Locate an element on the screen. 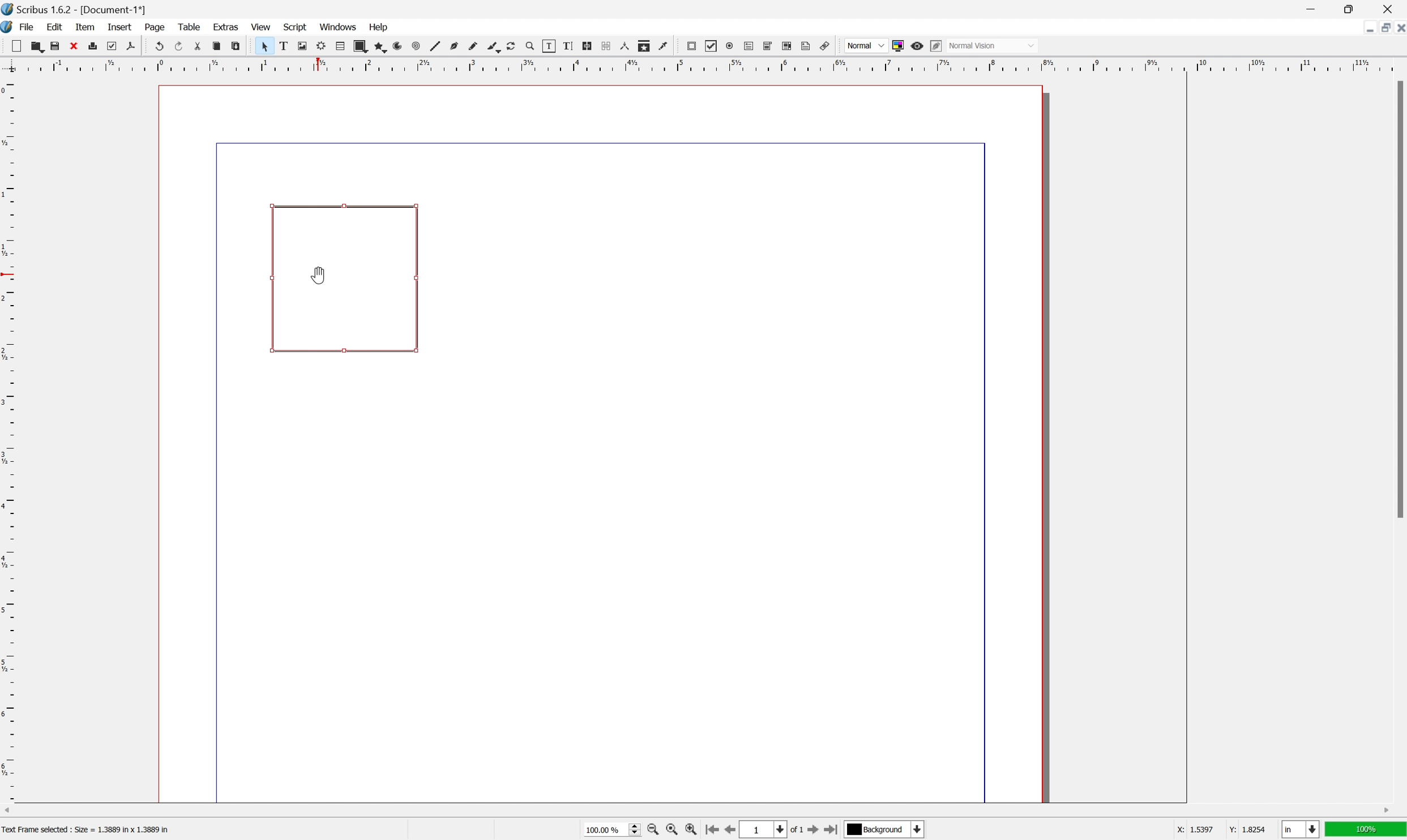 The height and width of the screenshot is (840, 1407). 100% is located at coordinates (1367, 832).